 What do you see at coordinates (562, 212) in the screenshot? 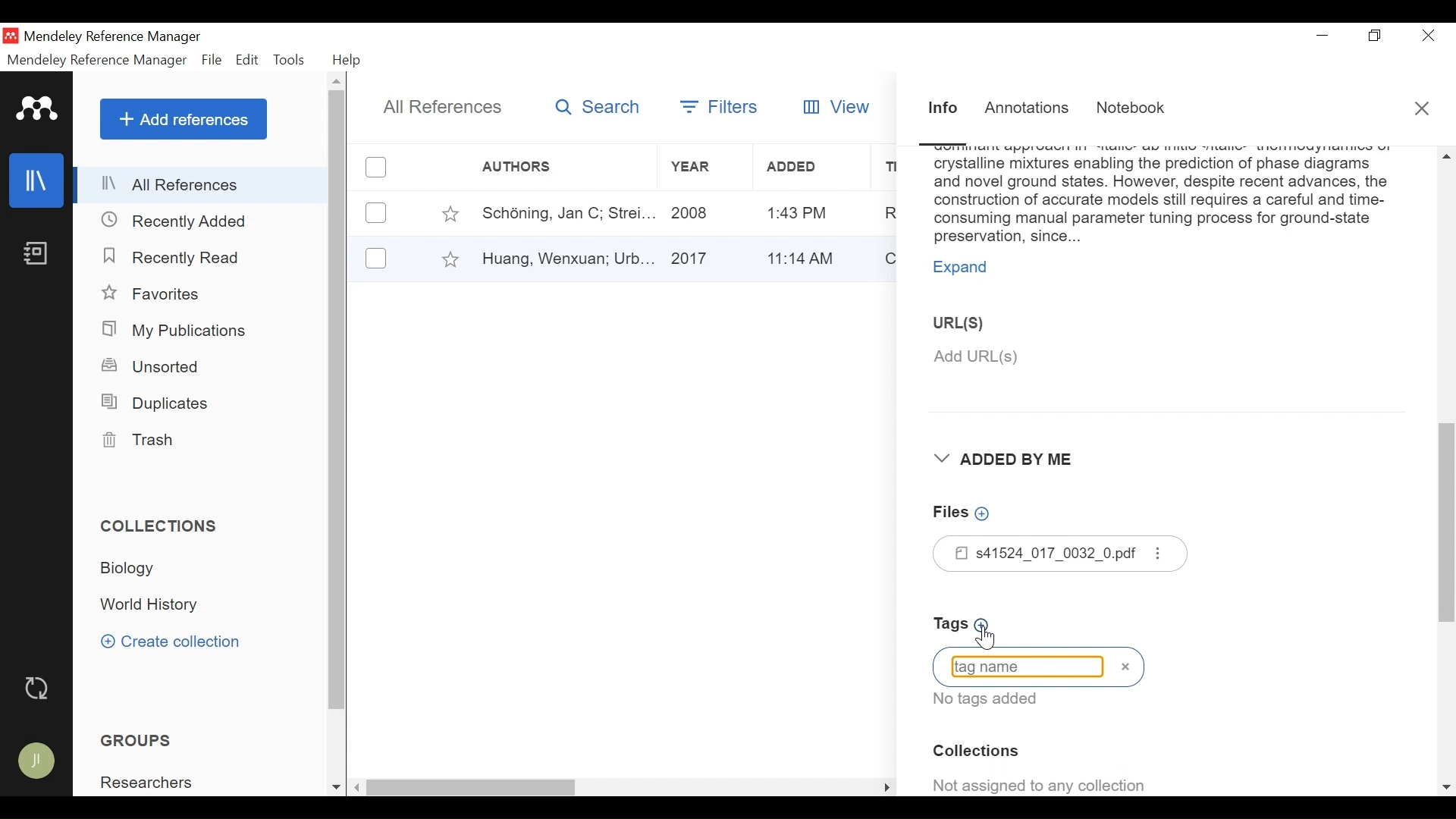
I see `Author` at bounding box center [562, 212].